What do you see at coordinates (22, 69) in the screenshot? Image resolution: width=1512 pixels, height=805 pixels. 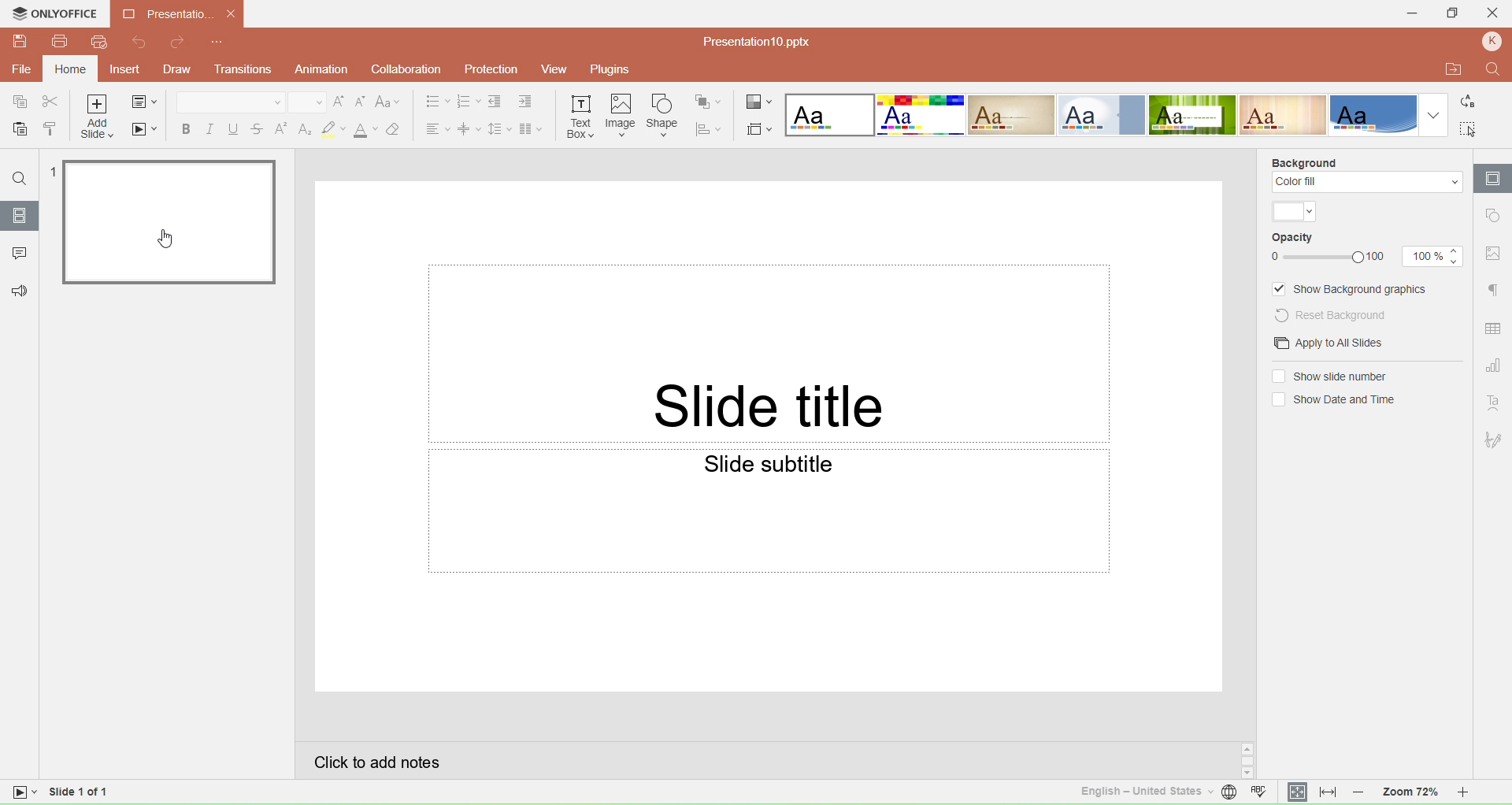 I see `File` at bounding box center [22, 69].